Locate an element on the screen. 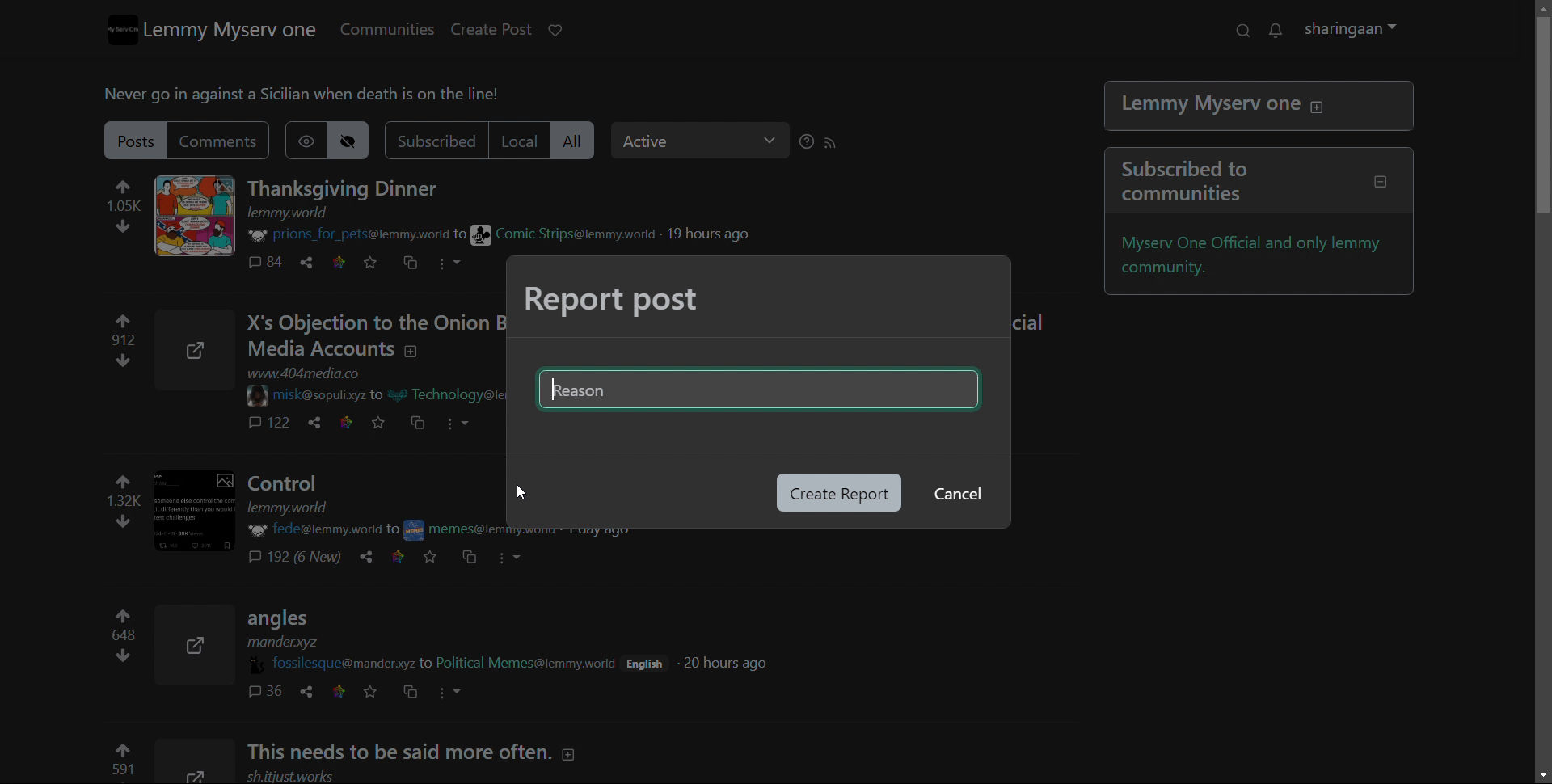 The width and height of the screenshot is (1552, 784). cross post is located at coordinates (420, 693).